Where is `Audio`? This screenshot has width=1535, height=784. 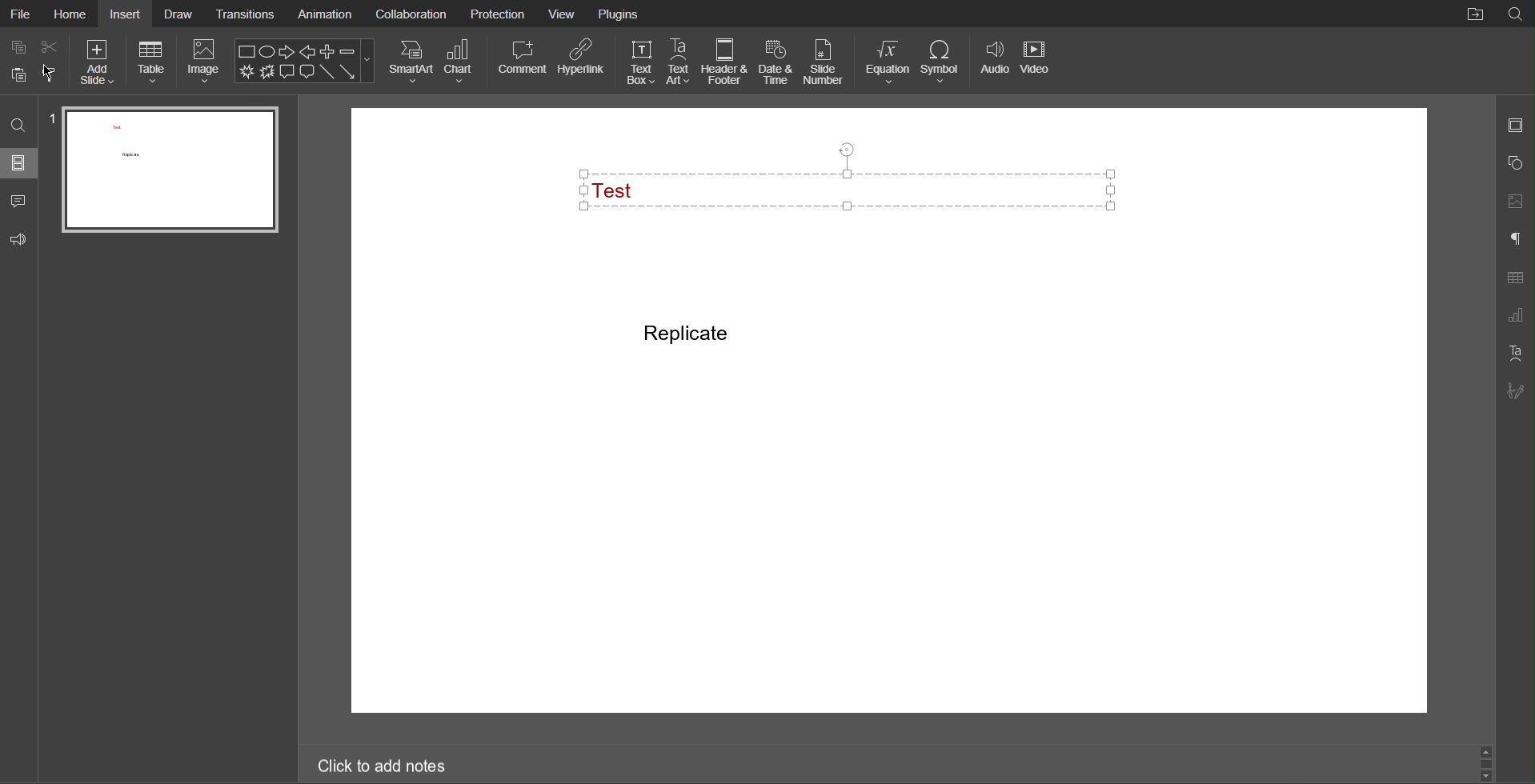
Audio is located at coordinates (994, 62).